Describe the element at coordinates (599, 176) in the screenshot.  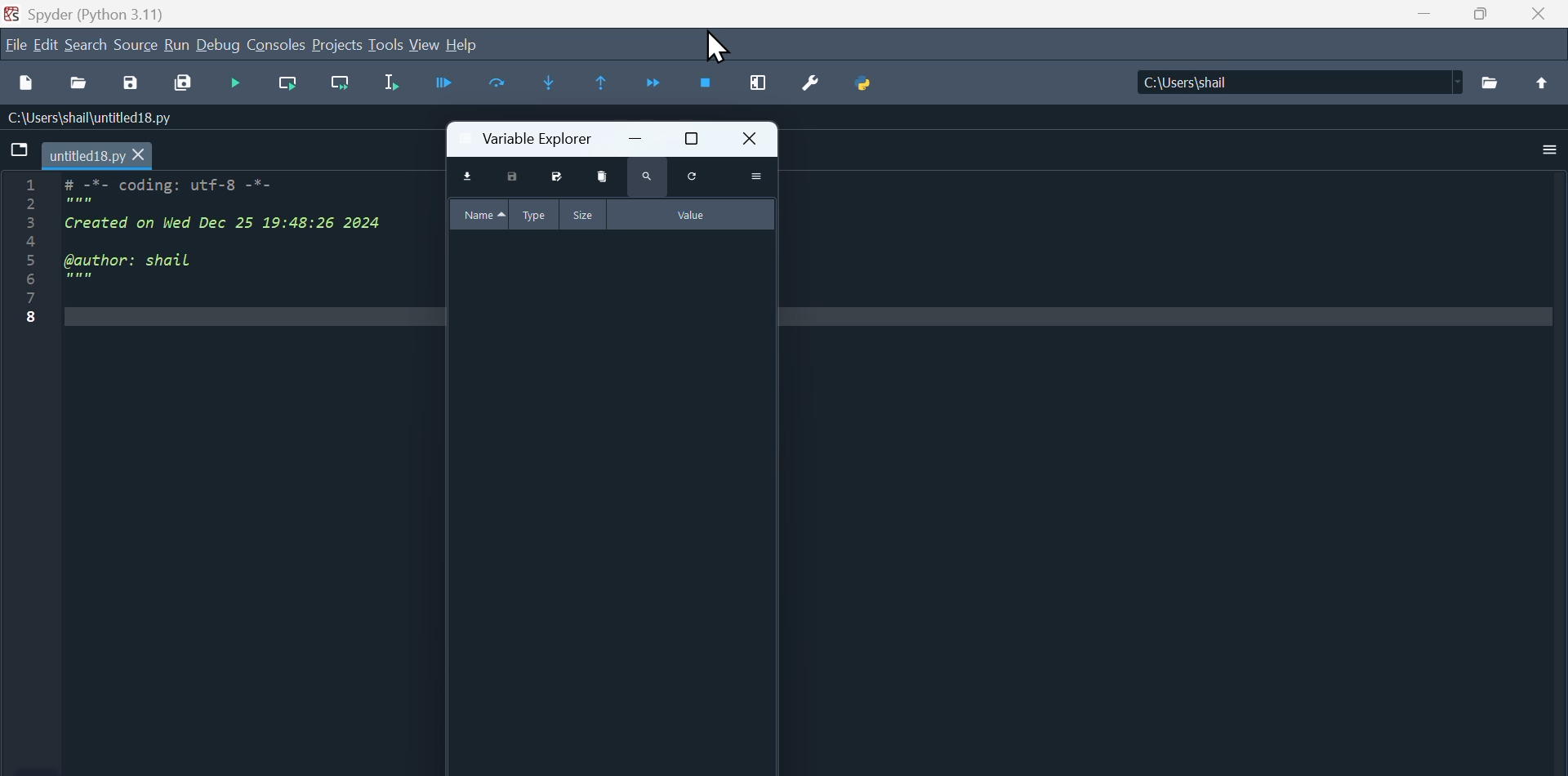
I see `delete variables` at that location.